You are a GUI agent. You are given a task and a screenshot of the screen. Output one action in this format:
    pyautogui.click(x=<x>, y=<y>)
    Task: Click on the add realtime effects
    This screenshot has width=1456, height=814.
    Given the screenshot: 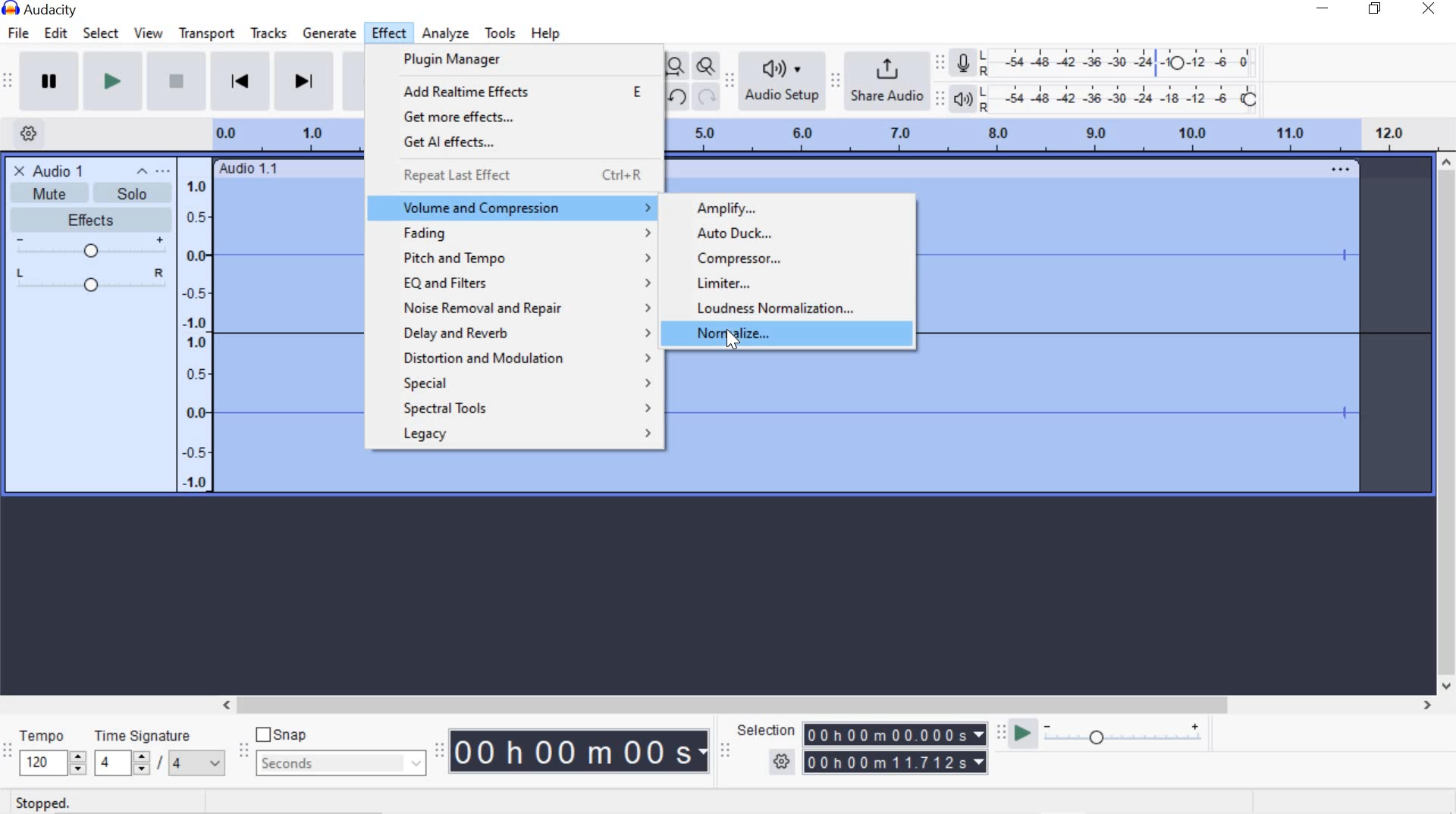 What is the action you would take?
    pyautogui.click(x=522, y=90)
    